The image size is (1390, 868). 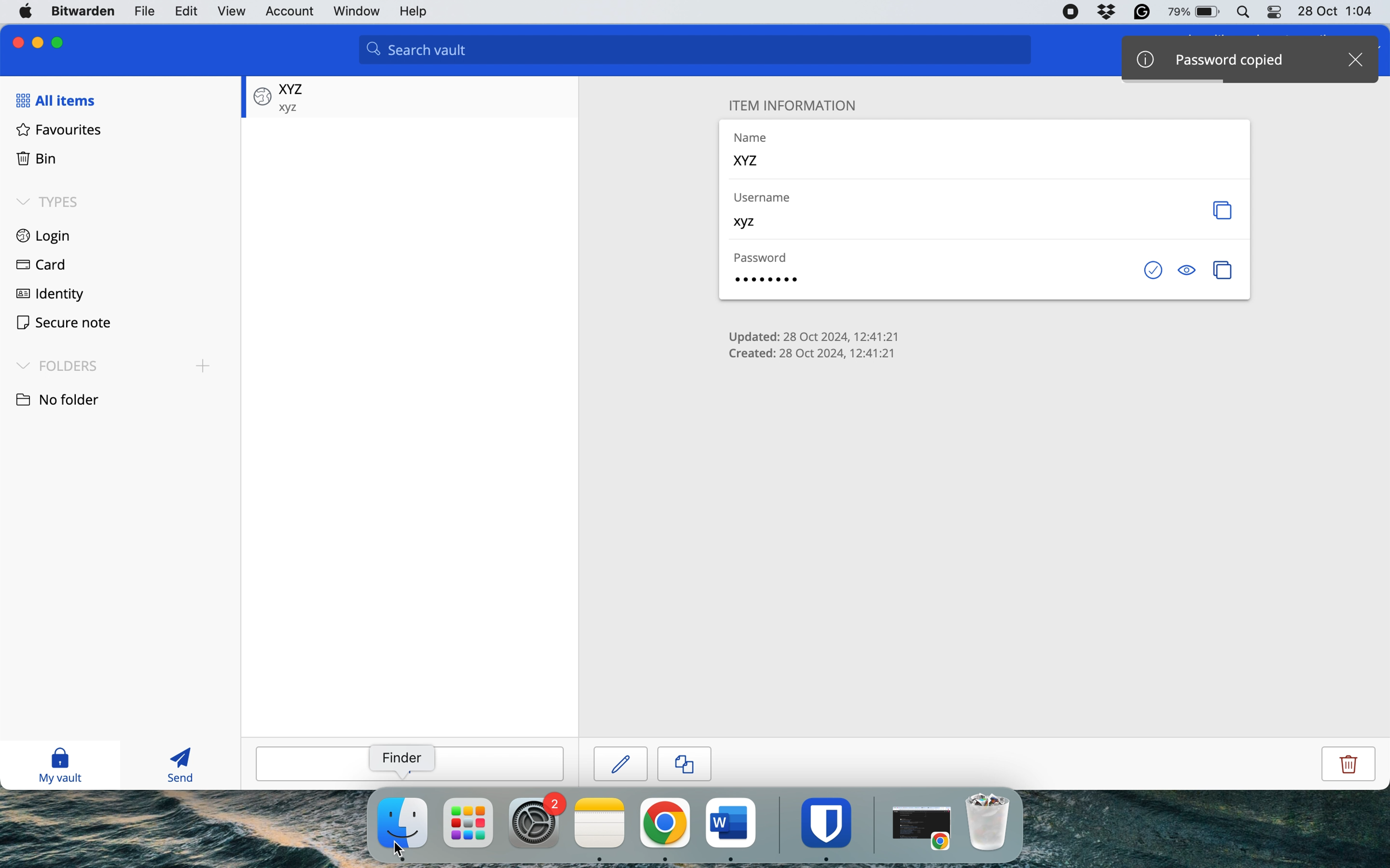 I want to click on secure note, so click(x=64, y=324).